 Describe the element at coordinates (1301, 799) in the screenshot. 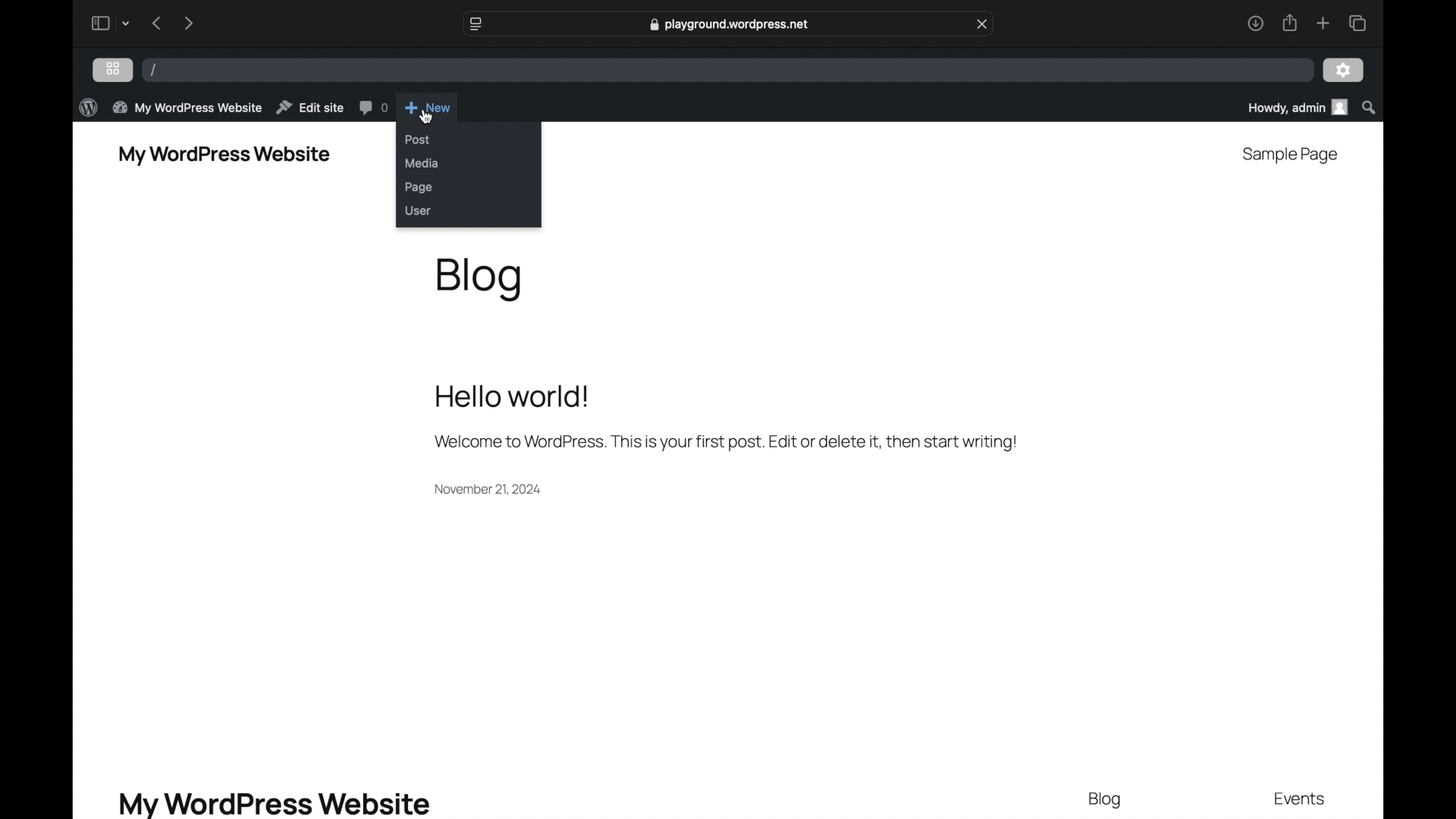

I see `events` at that location.